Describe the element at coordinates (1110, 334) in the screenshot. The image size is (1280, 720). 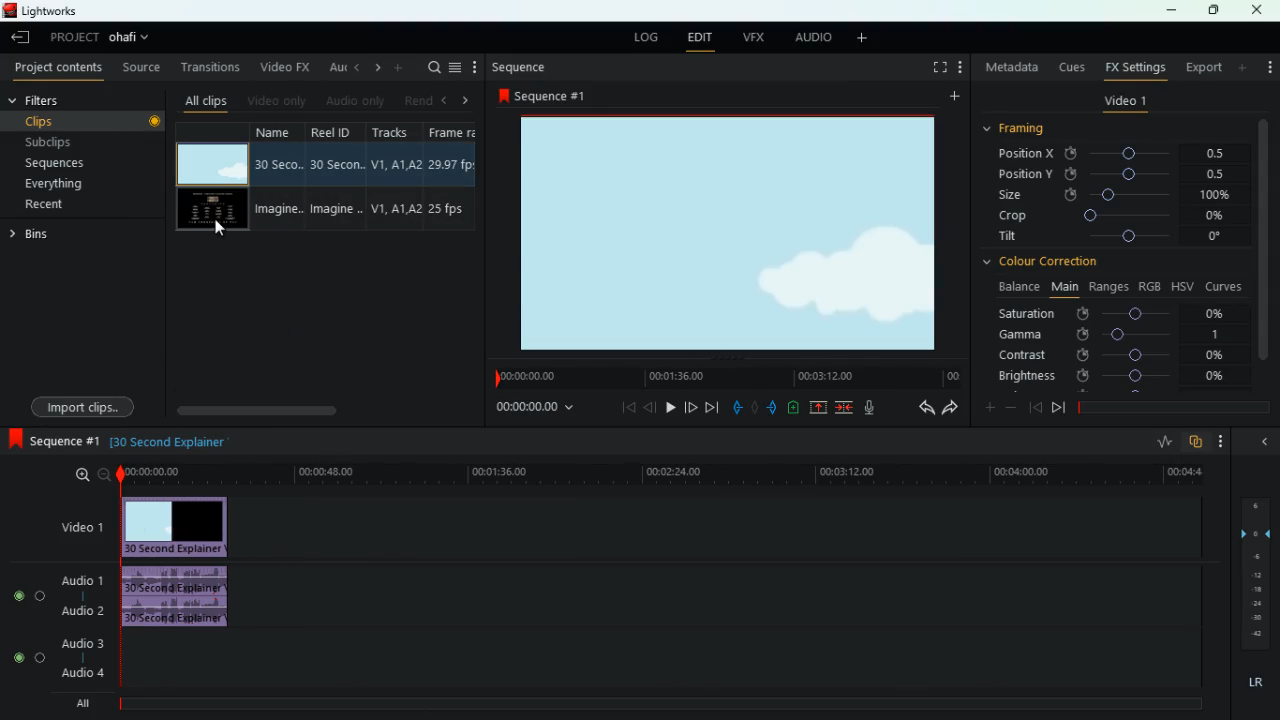
I see `gamma` at that location.